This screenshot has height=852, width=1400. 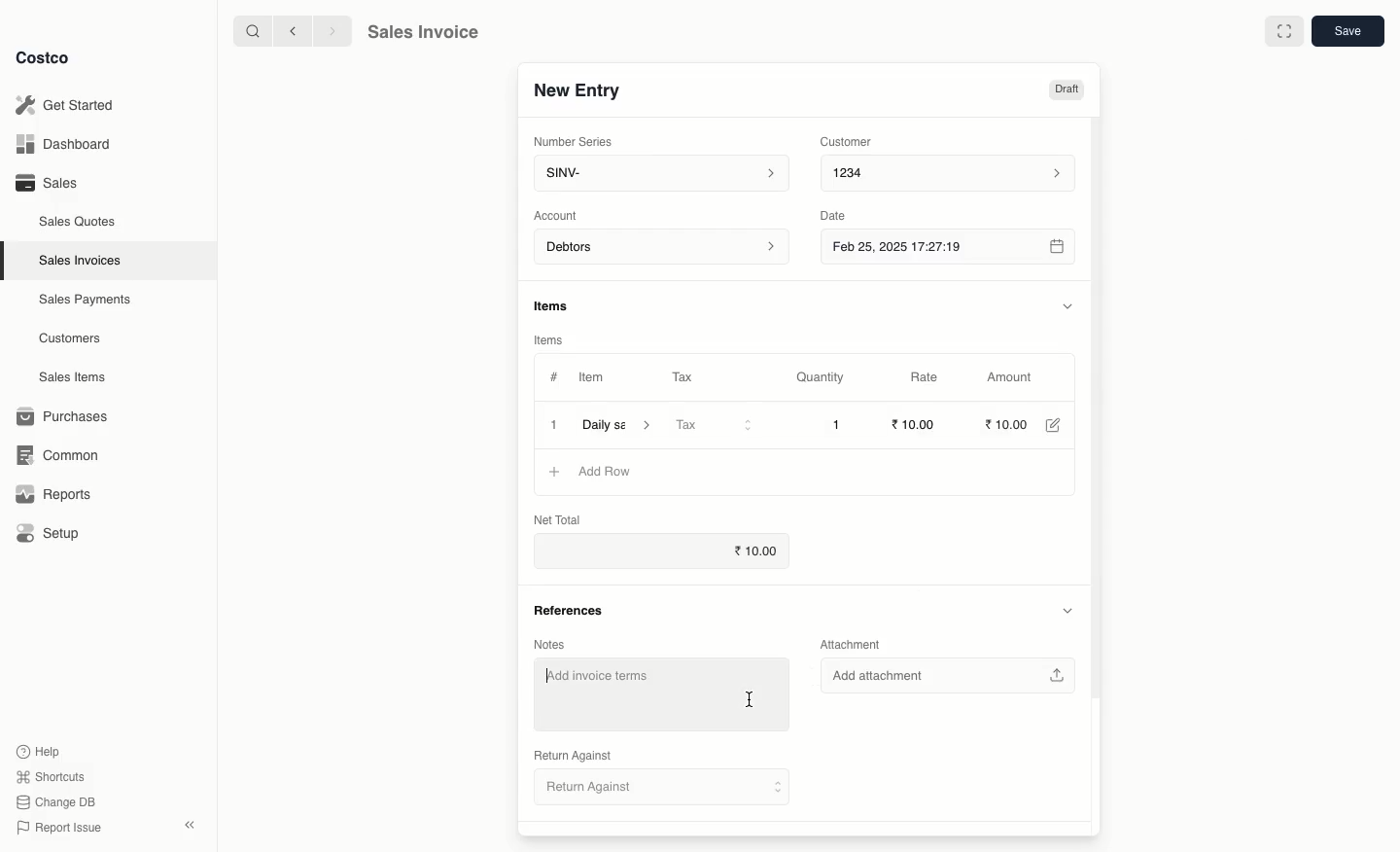 I want to click on ‘Account, so click(x=558, y=216).